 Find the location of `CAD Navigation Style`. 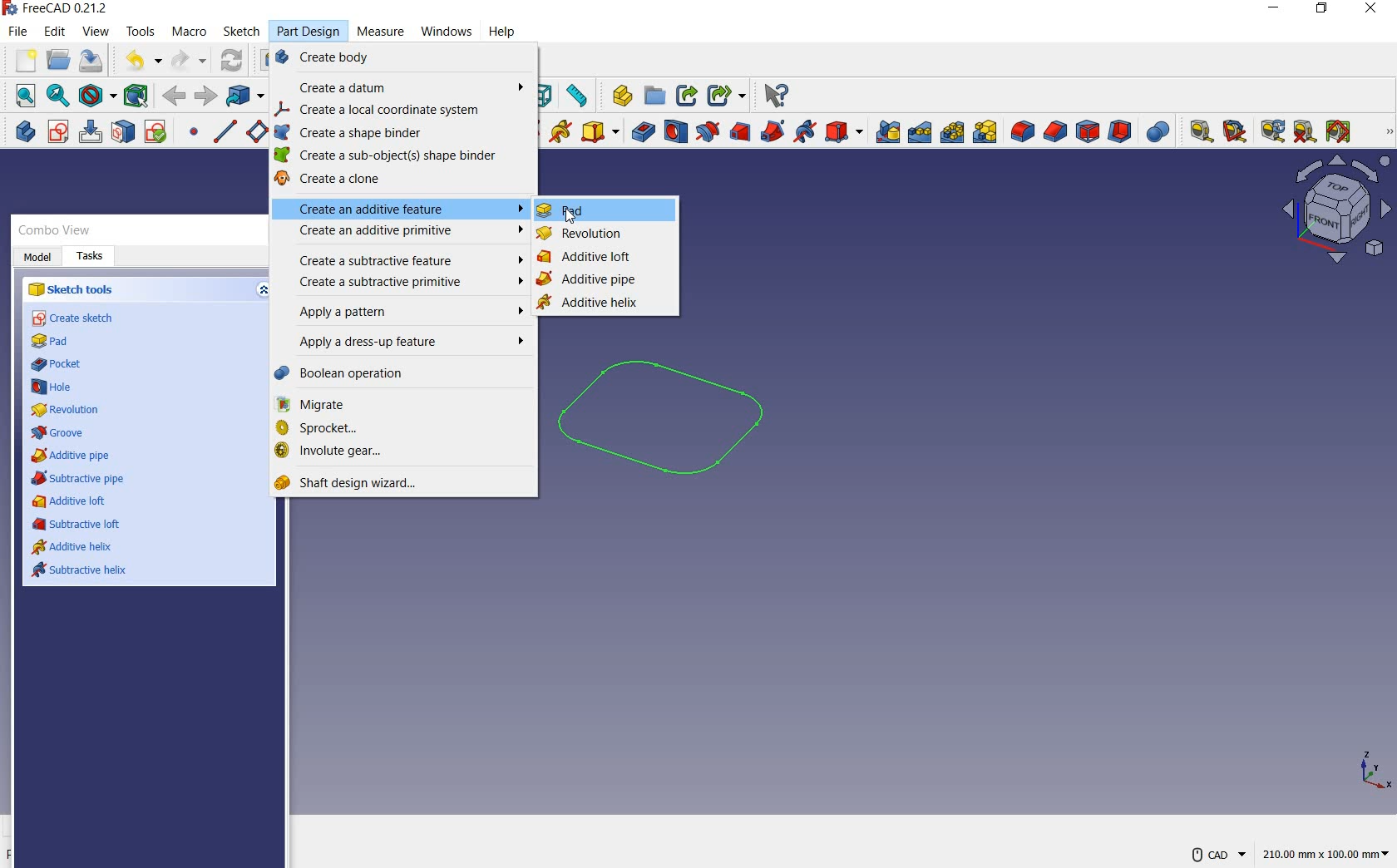

CAD Navigation Style is located at coordinates (1218, 851).